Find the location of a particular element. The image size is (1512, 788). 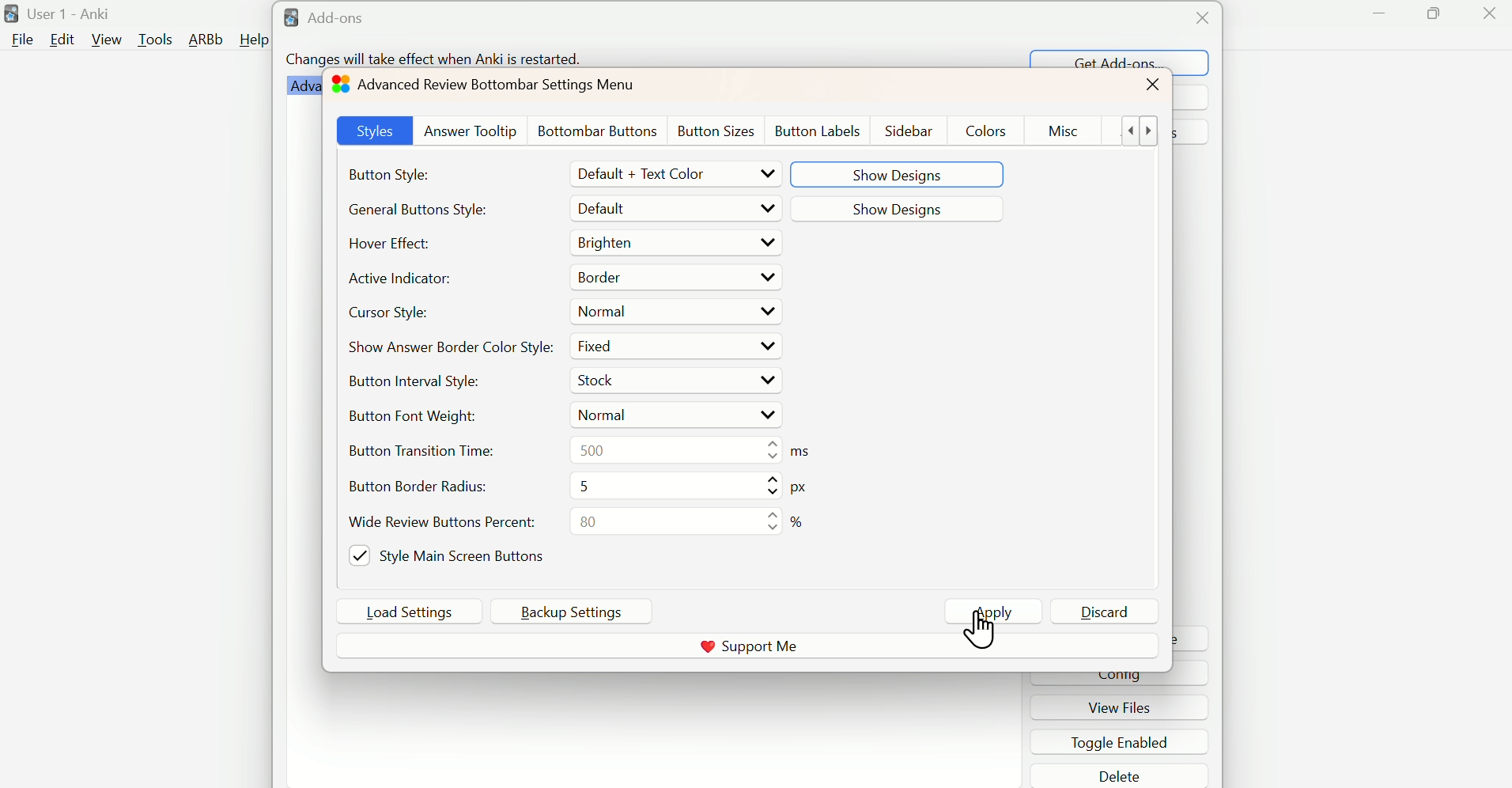

Default is located at coordinates (603, 208).